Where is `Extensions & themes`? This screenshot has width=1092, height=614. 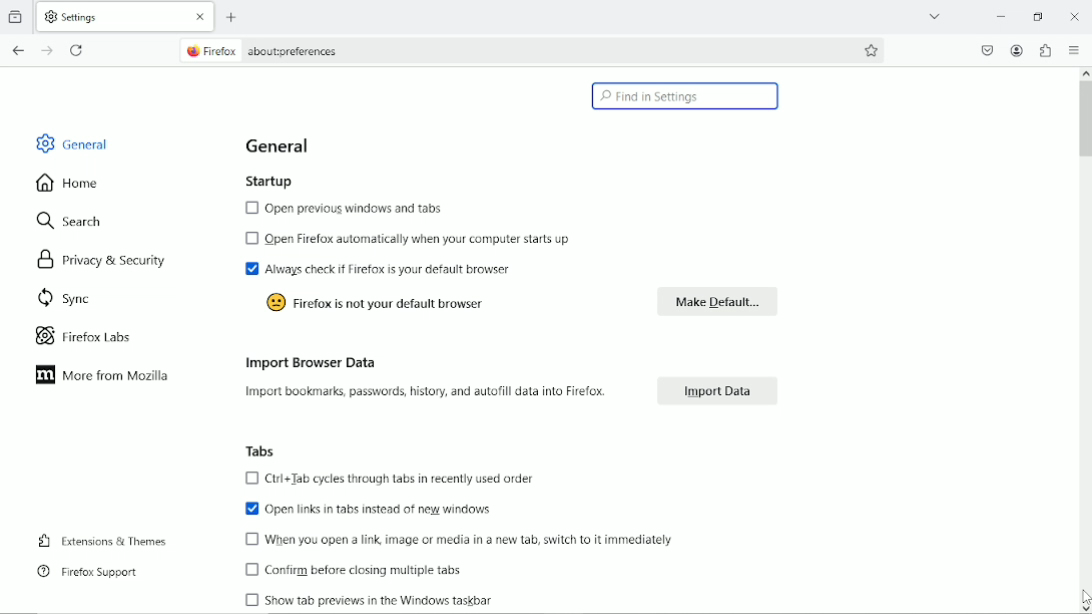 Extensions & themes is located at coordinates (102, 540).